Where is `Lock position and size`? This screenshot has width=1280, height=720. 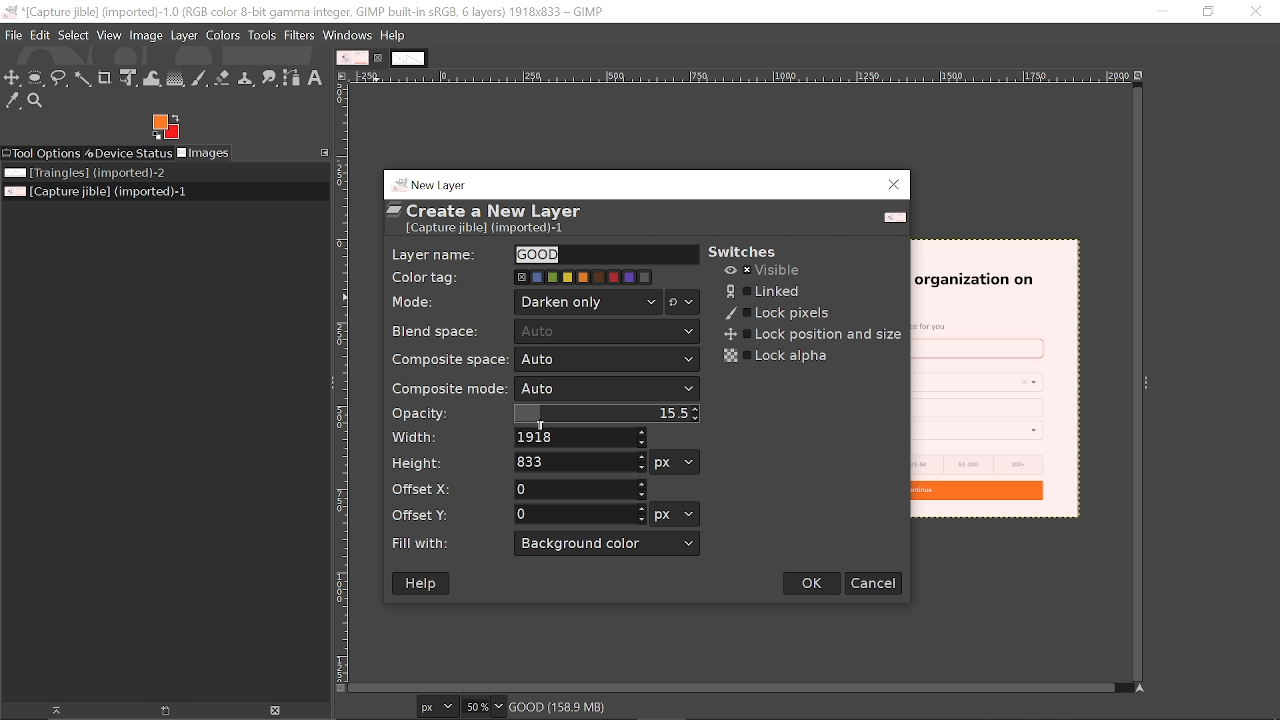
Lock position and size is located at coordinates (809, 335).